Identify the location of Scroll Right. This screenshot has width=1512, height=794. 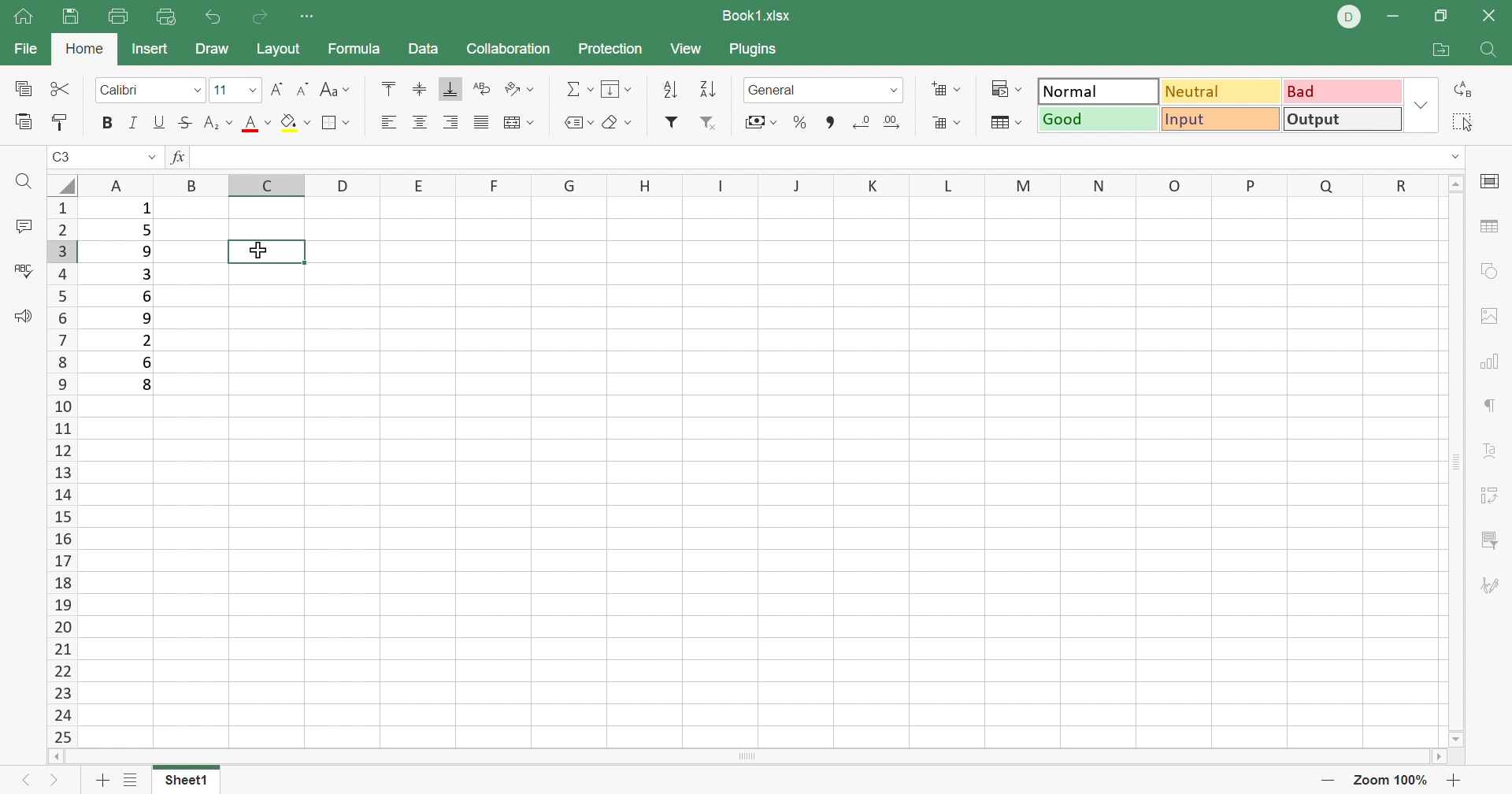
(1430, 759).